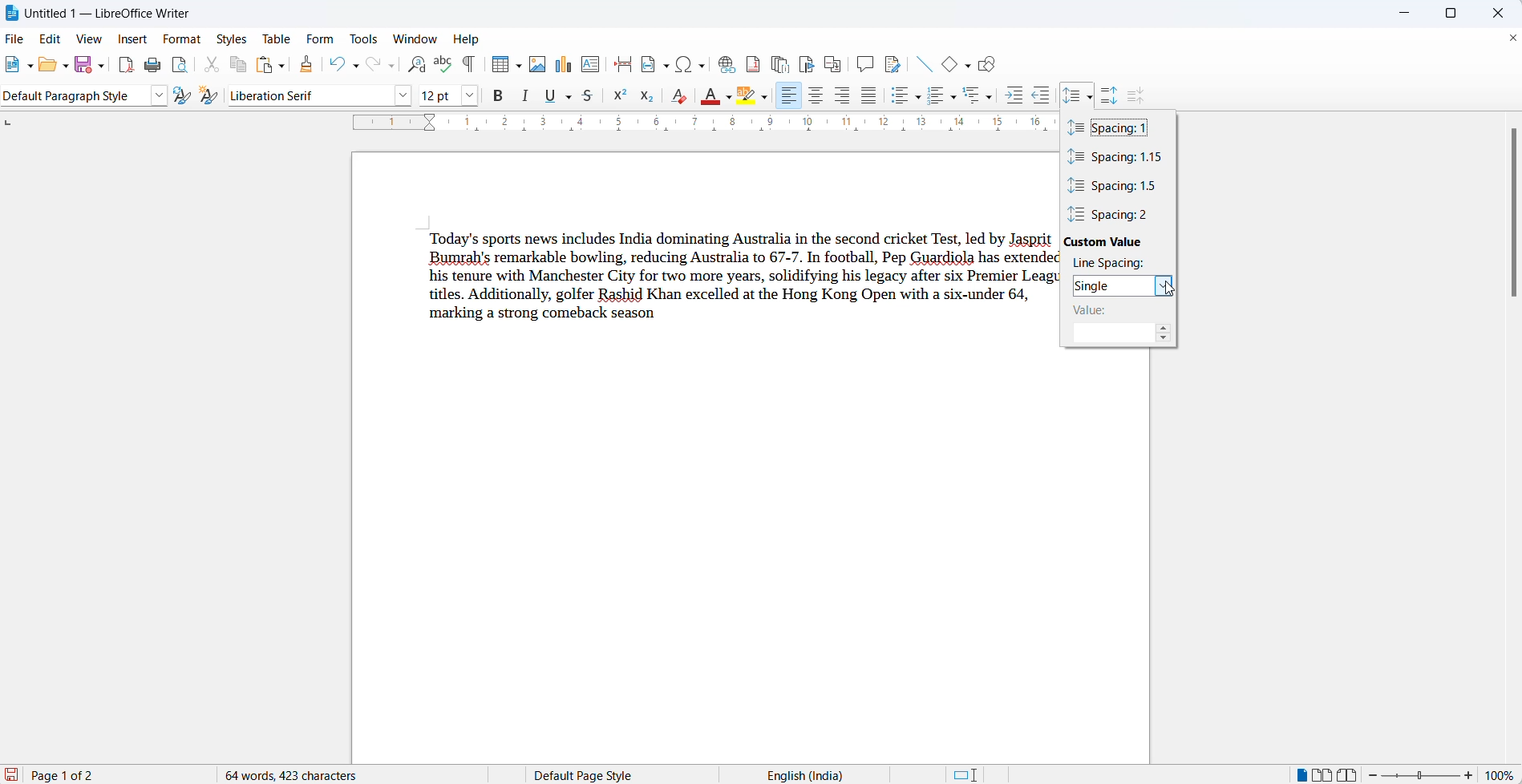 The height and width of the screenshot is (784, 1522). What do you see at coordinates (1469, 774) in the screenshot?
I see `increase zoom` at bounding box center [1469, 774].